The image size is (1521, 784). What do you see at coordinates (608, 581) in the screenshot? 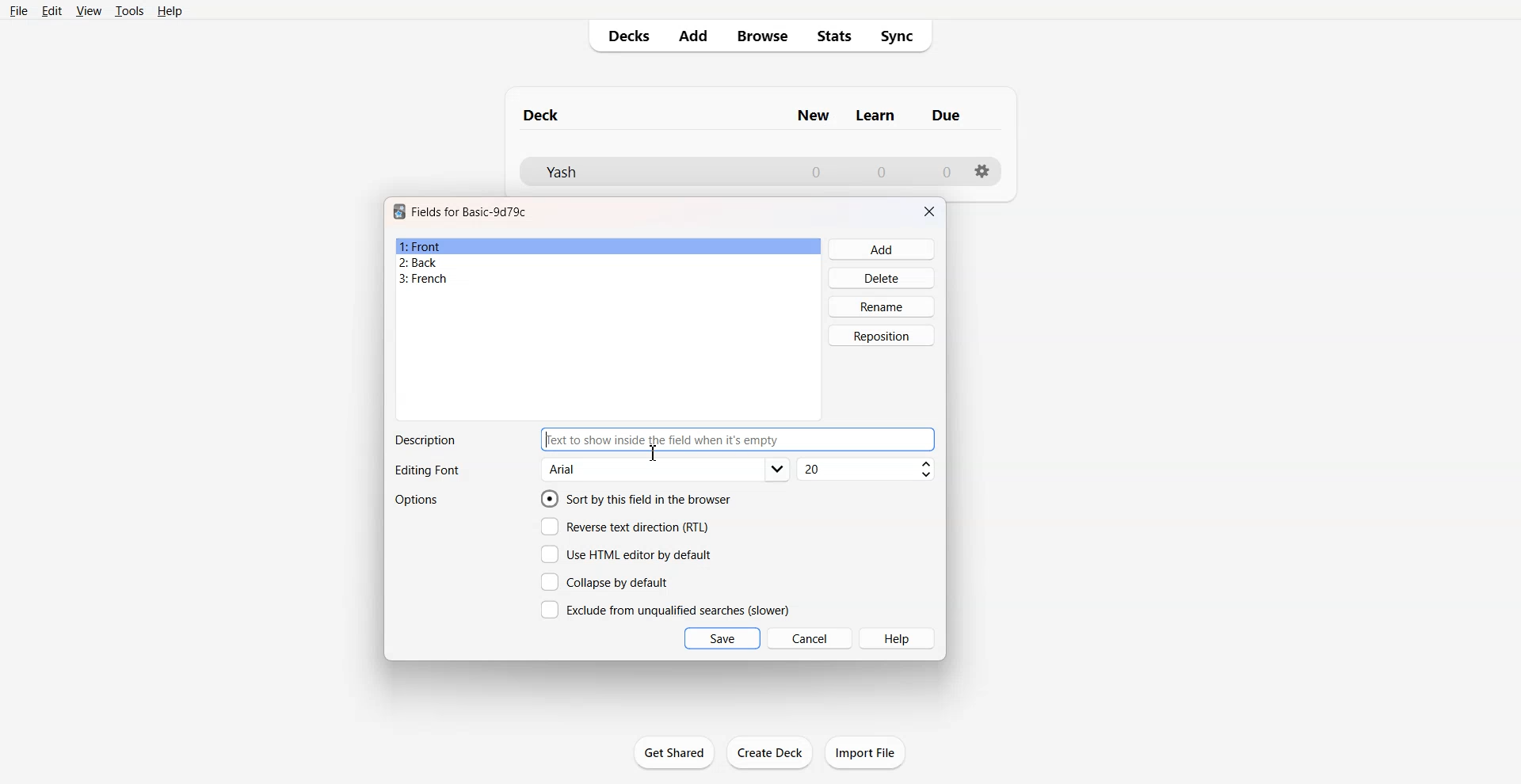
I see `Collapse by default` at bounding box center [608, 581].